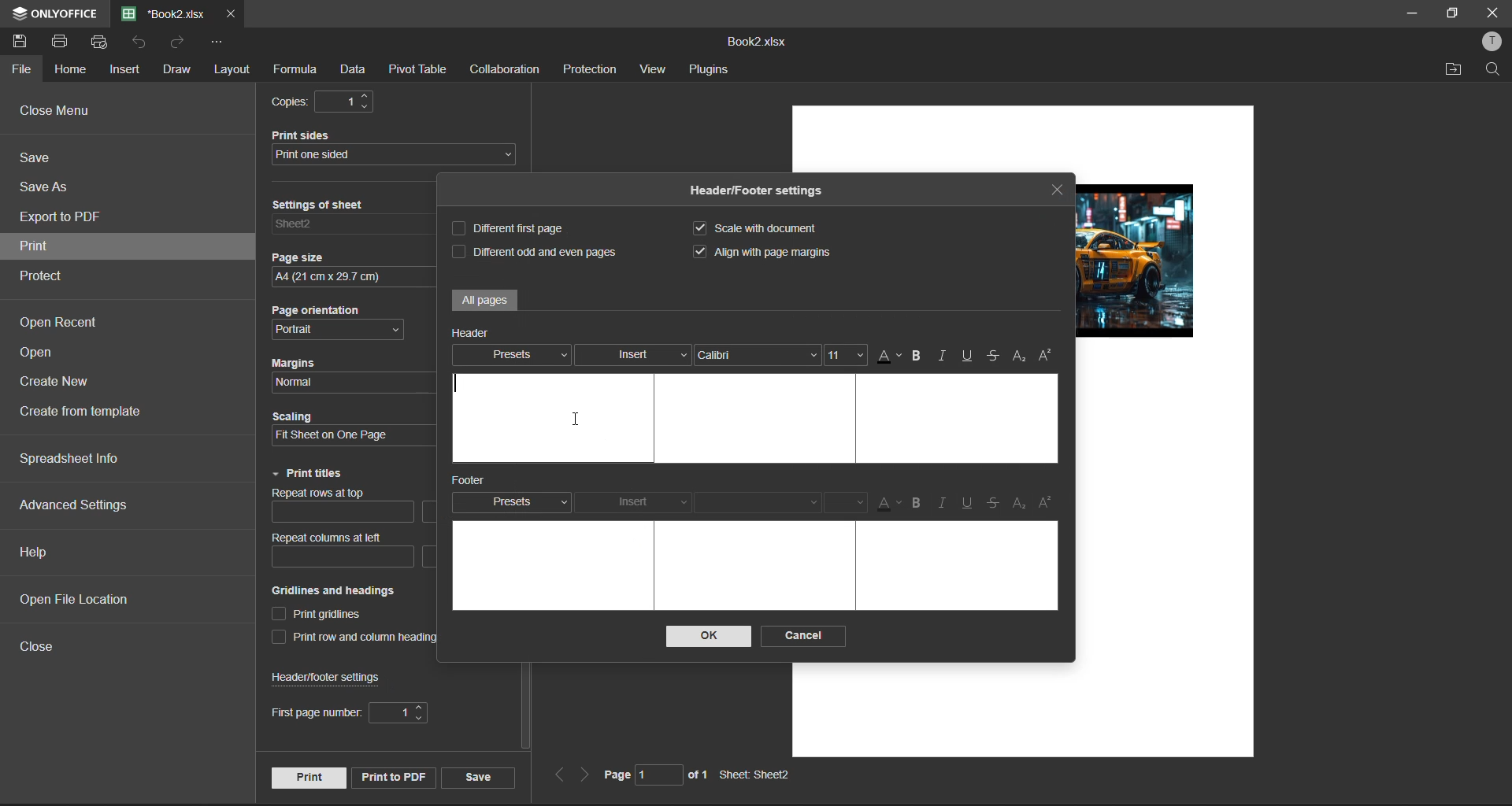 The width and height of the screenshot is (1512, 806). Describe the element at coordinates (510, 69) in the screenshot. I see `collaboration` at that location.